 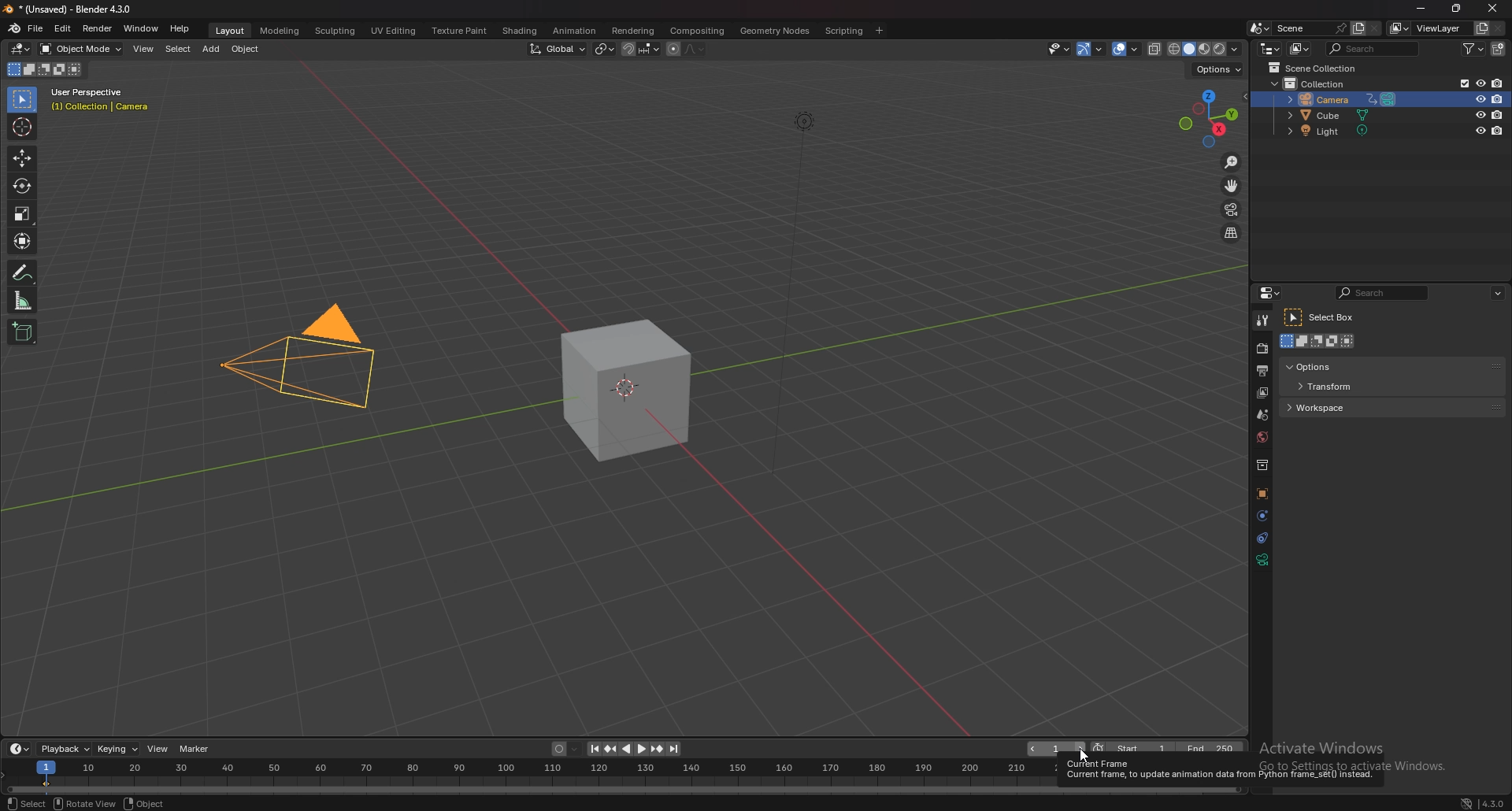 I want to click on cursor, so click(x=1080, y=756).